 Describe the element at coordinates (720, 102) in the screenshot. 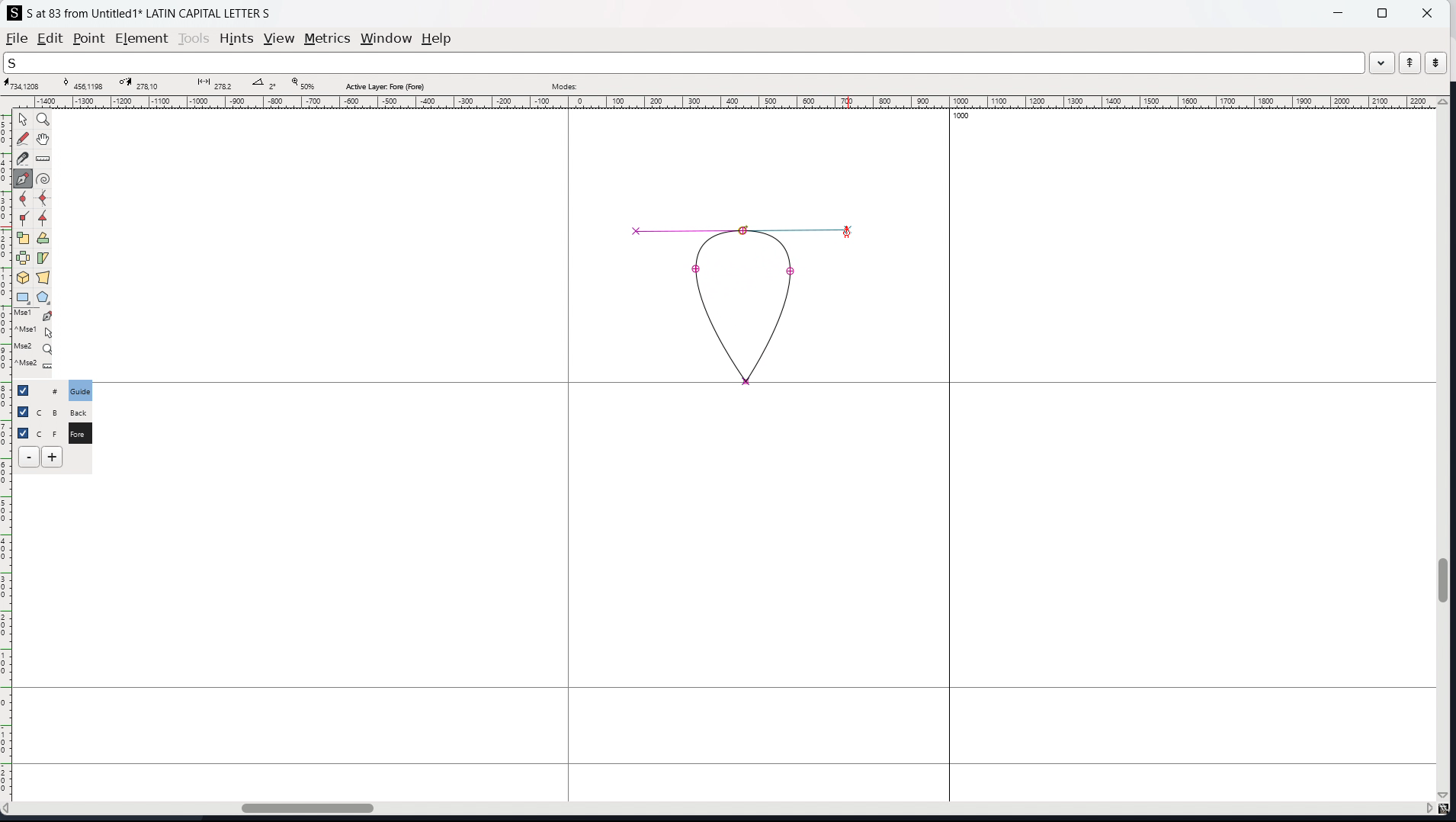

I see `horizontal ruler` at that location.